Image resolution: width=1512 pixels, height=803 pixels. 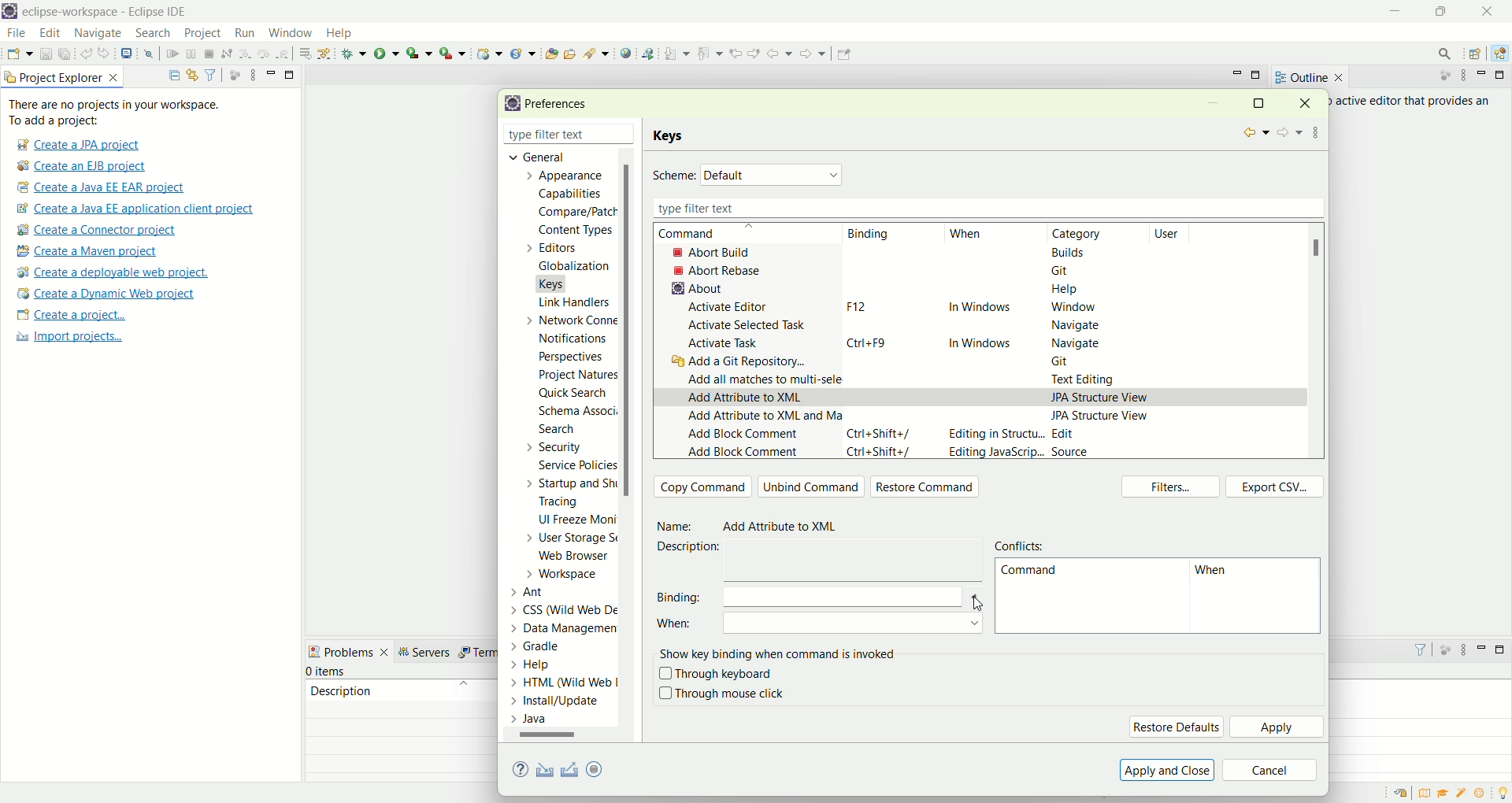 What do you see at coordinates (102, 187) in the screenshot?
I see `create a Java EE EAR project` at bounding box center [102, 187].